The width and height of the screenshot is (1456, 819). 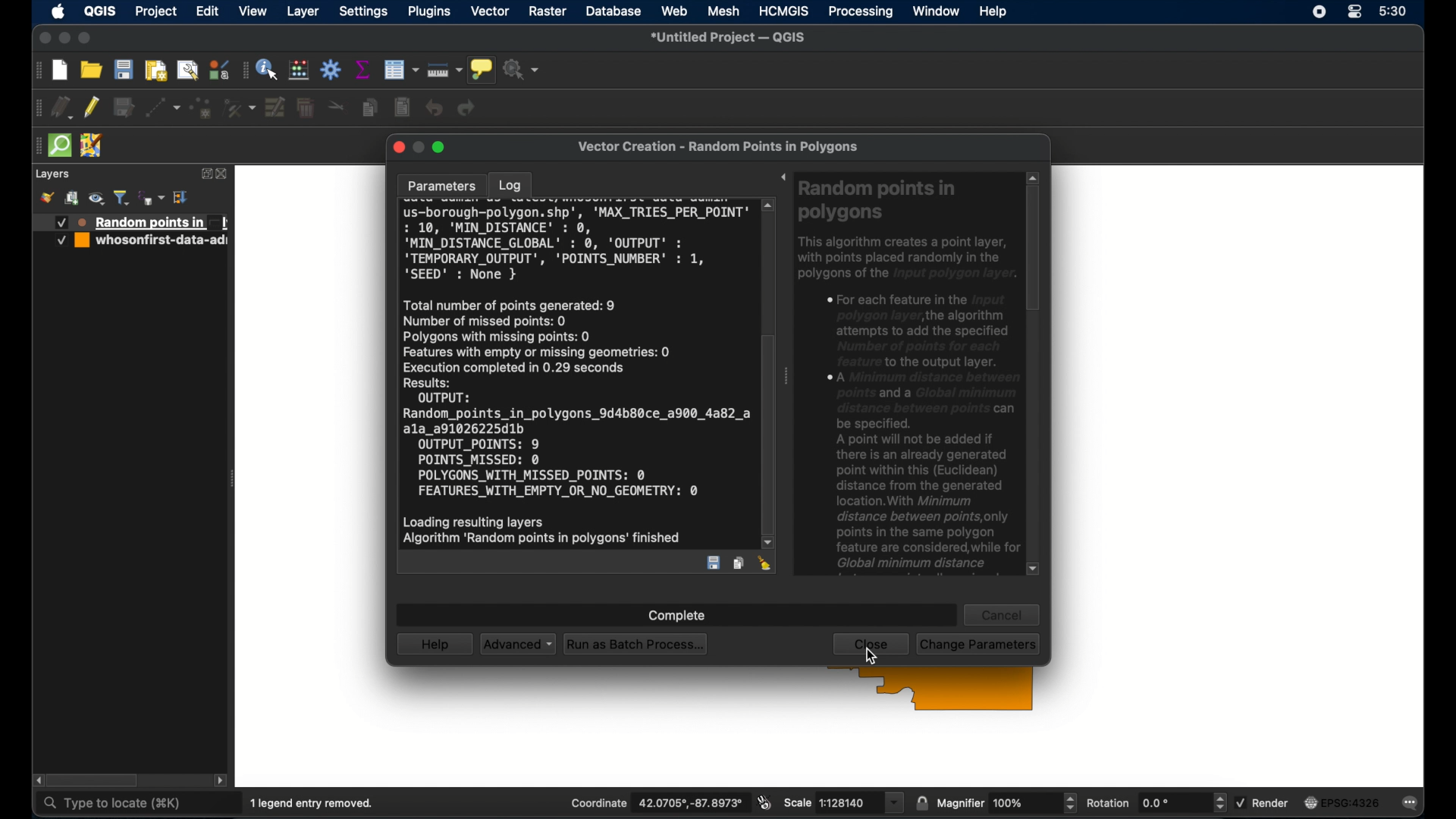 What do you see at coordinates (254, 11) in the screenshot?
I see `view` at bounding box center [254, 11].